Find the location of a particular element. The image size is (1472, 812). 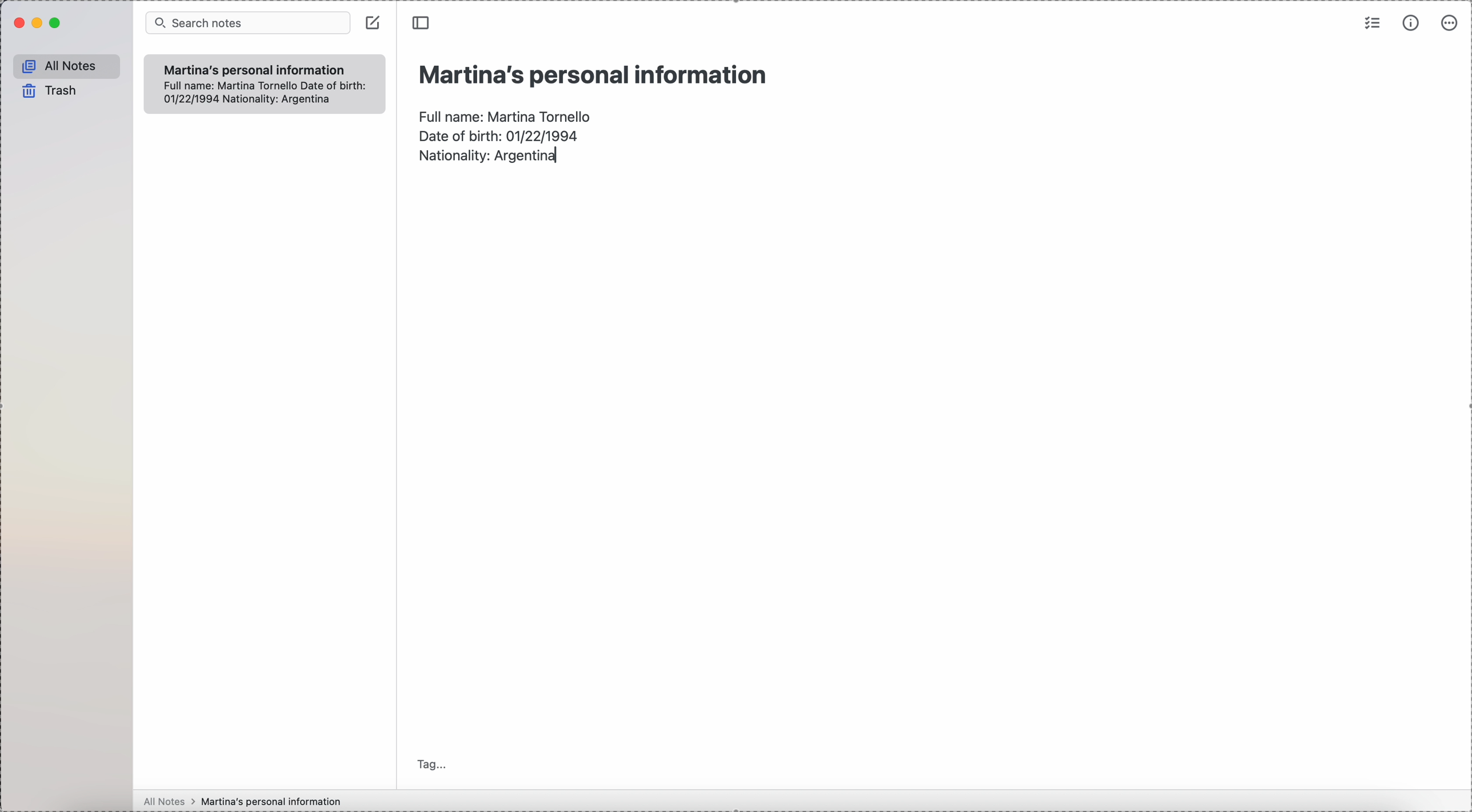

close Simplenote is located at coordinates (18, 24).